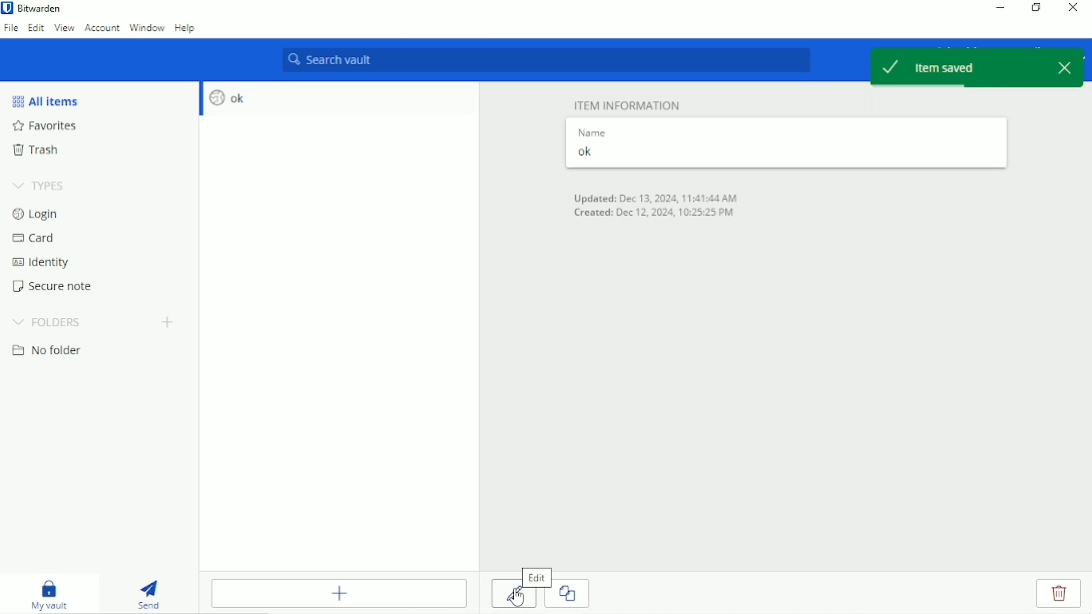  Describe the element at coordinates (44, 263) in the screenshot. I see `Identity` at that location.